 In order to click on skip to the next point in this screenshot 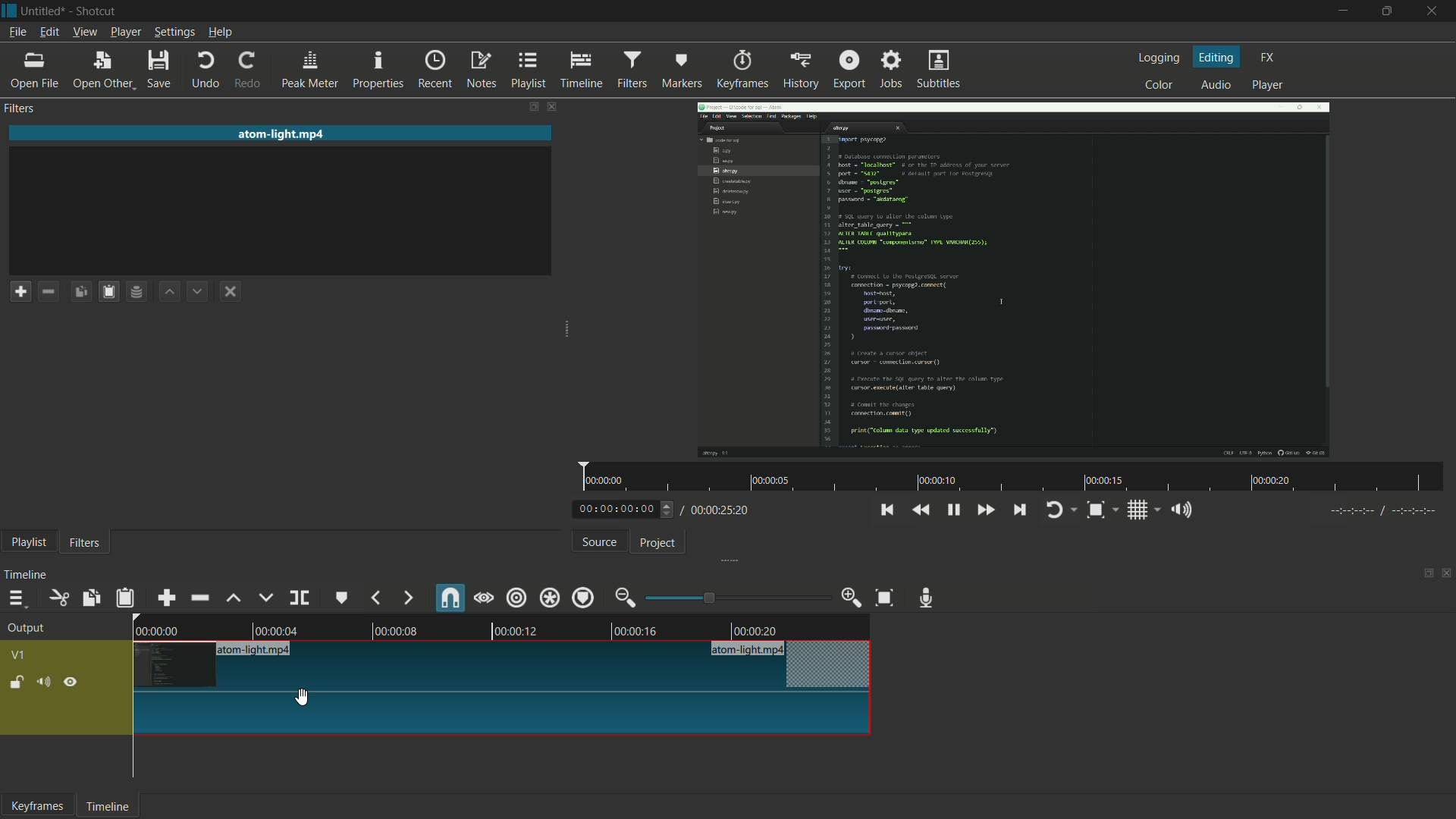, I will do `click(1018, 510)`.